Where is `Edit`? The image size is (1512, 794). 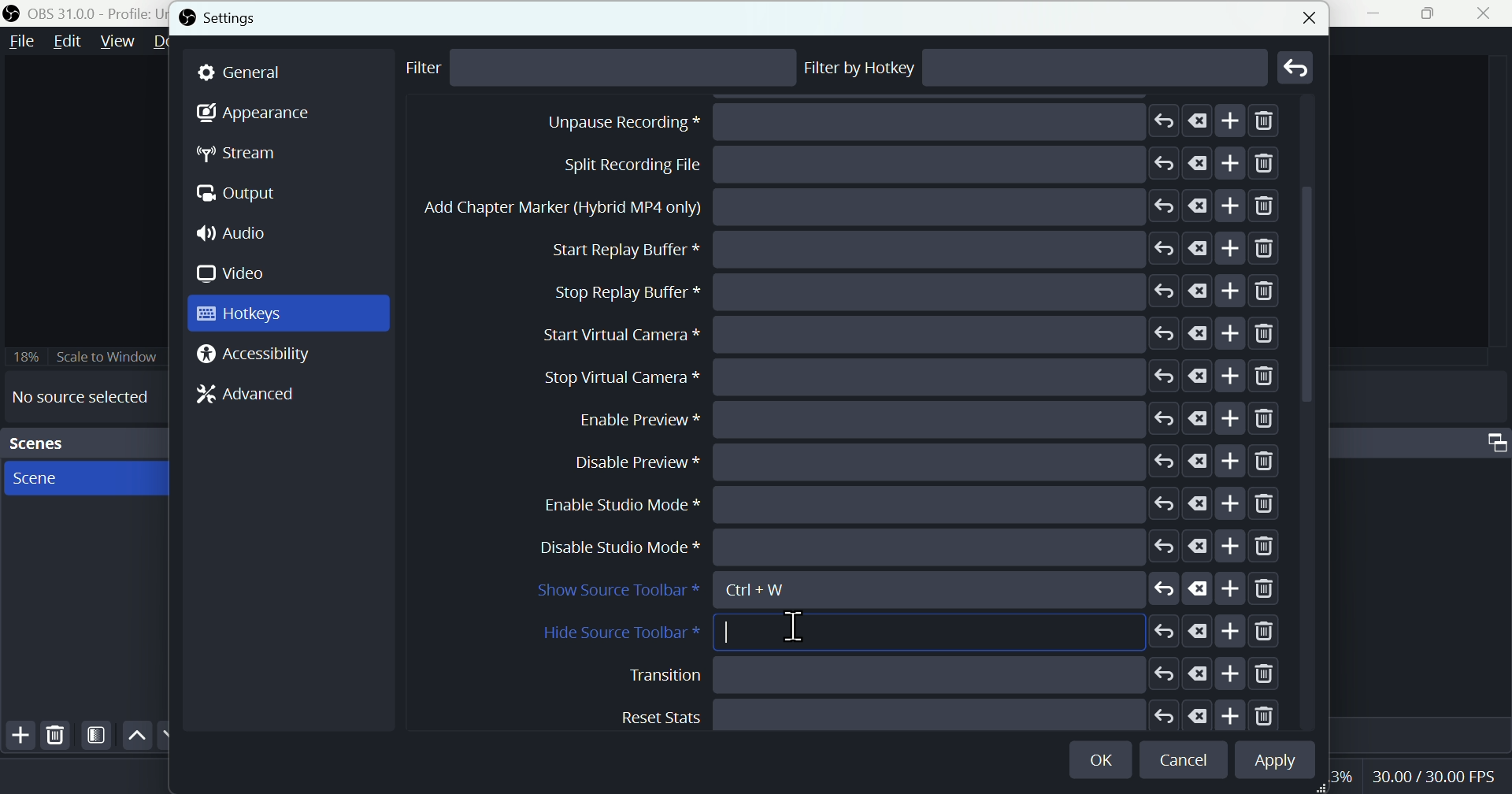 Edit is located at coordinates (67, 44).